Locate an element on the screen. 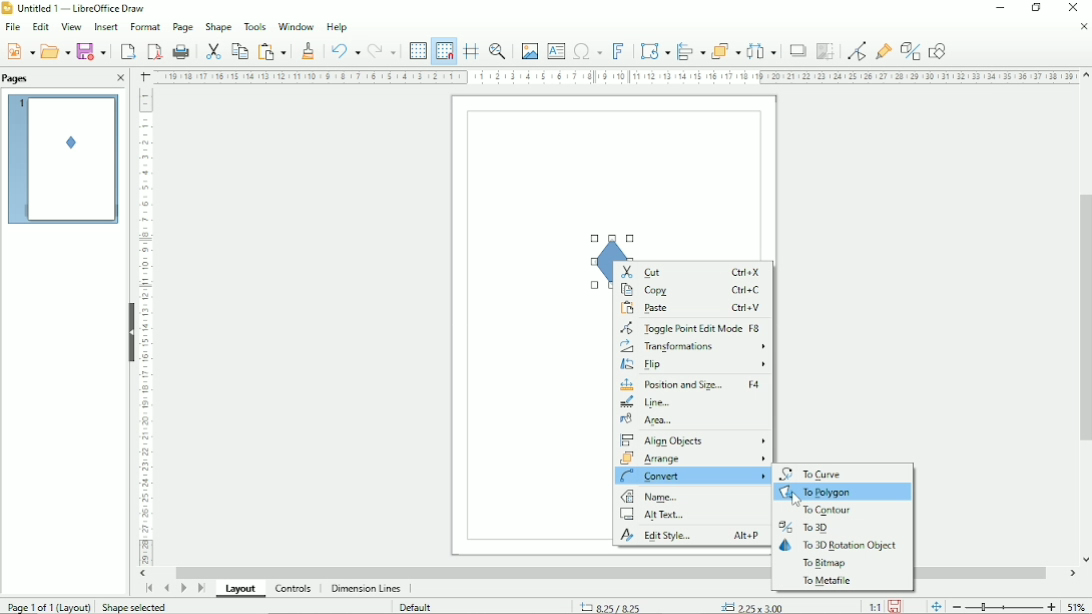 The height and width of the screenshot is (614, 1092). To 3D rotation object is located at coordinates (841, 546).